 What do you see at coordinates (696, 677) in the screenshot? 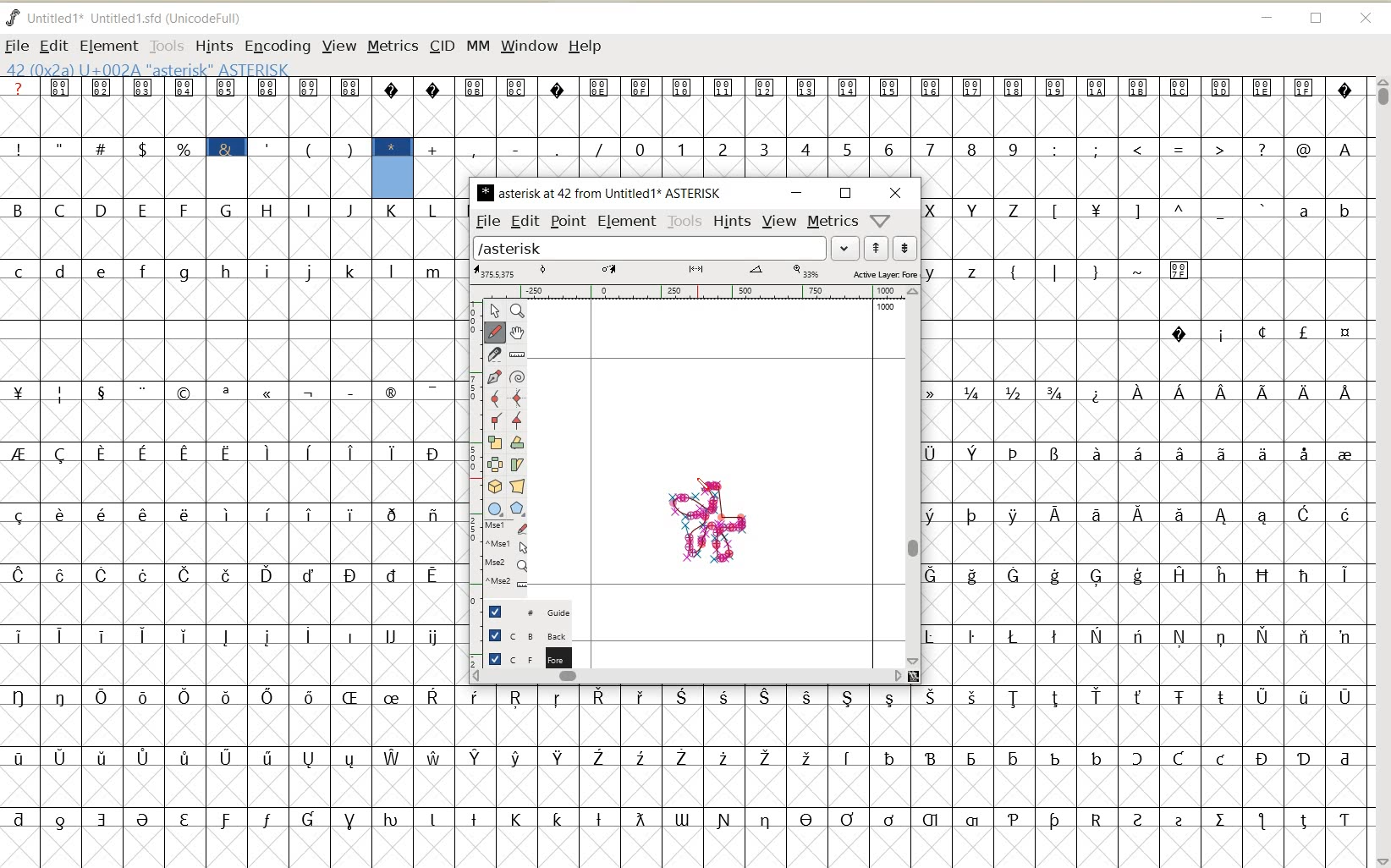
I see `SCROLLBAR` at bounding box center [696, 677].